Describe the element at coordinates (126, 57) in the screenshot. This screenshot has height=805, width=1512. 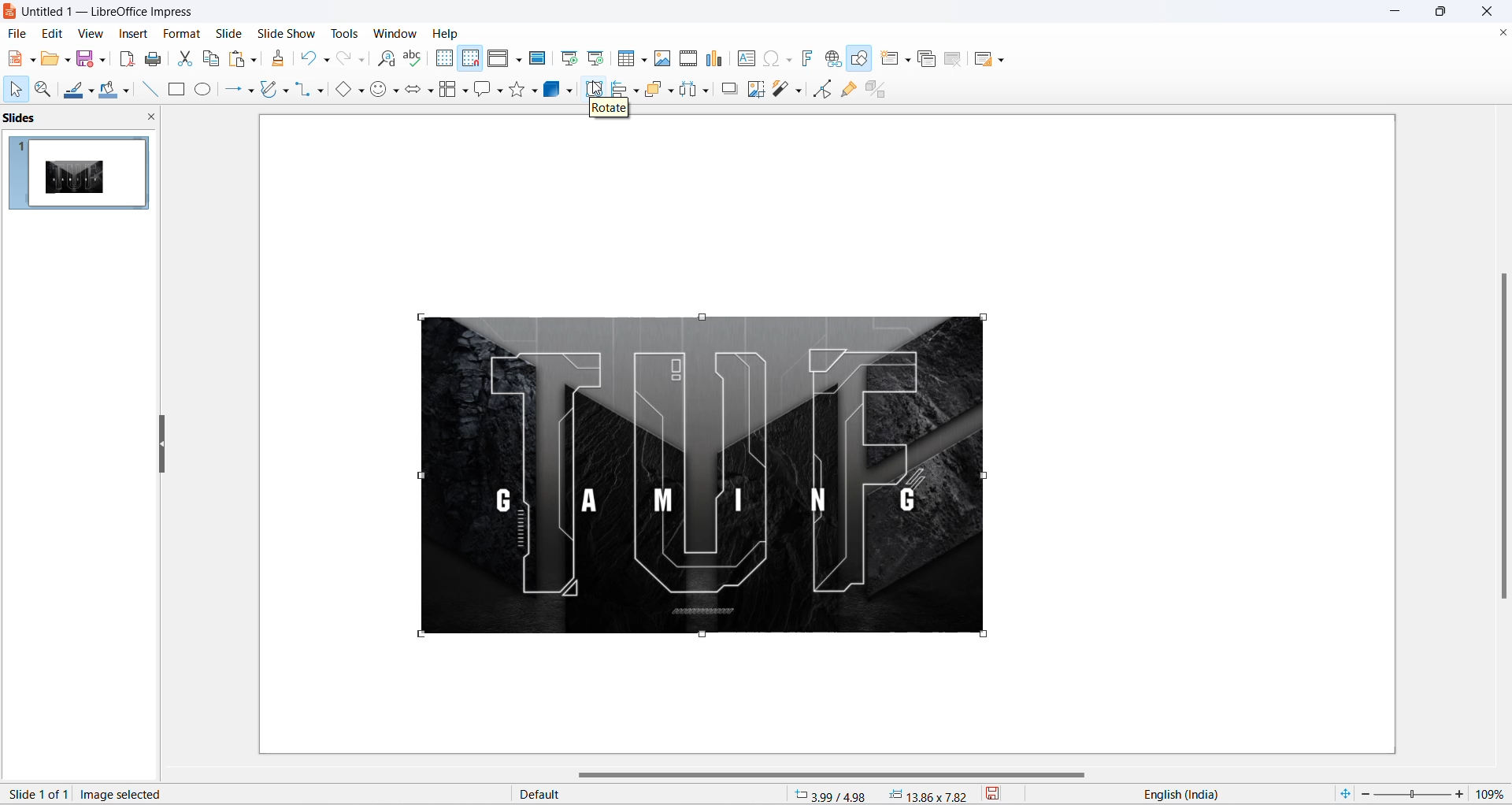
I see `export as pdf` at that location.